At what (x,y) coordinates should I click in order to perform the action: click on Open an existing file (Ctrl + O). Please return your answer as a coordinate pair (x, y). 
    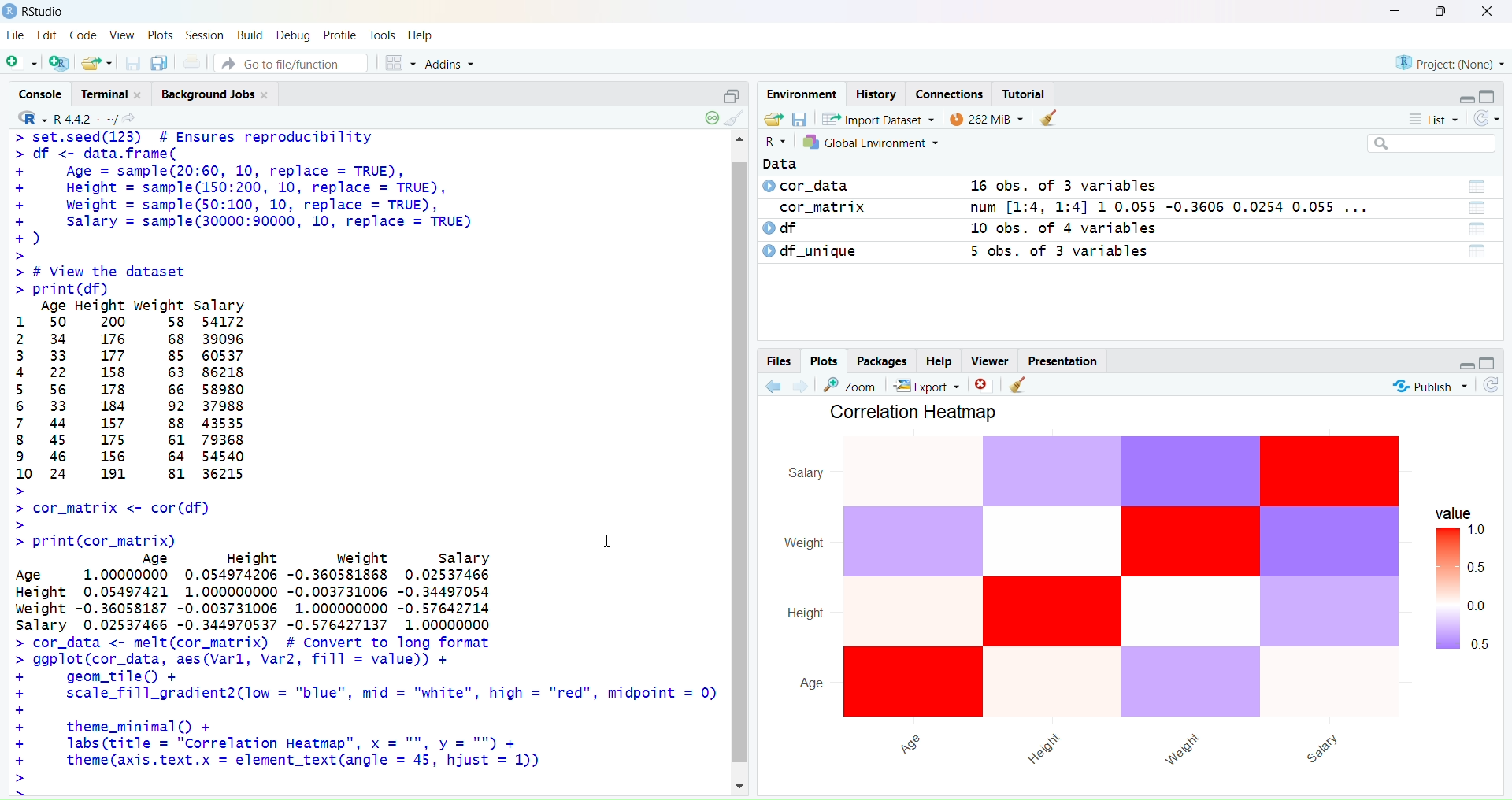
    Looking at the image, I should click on (95, 62).